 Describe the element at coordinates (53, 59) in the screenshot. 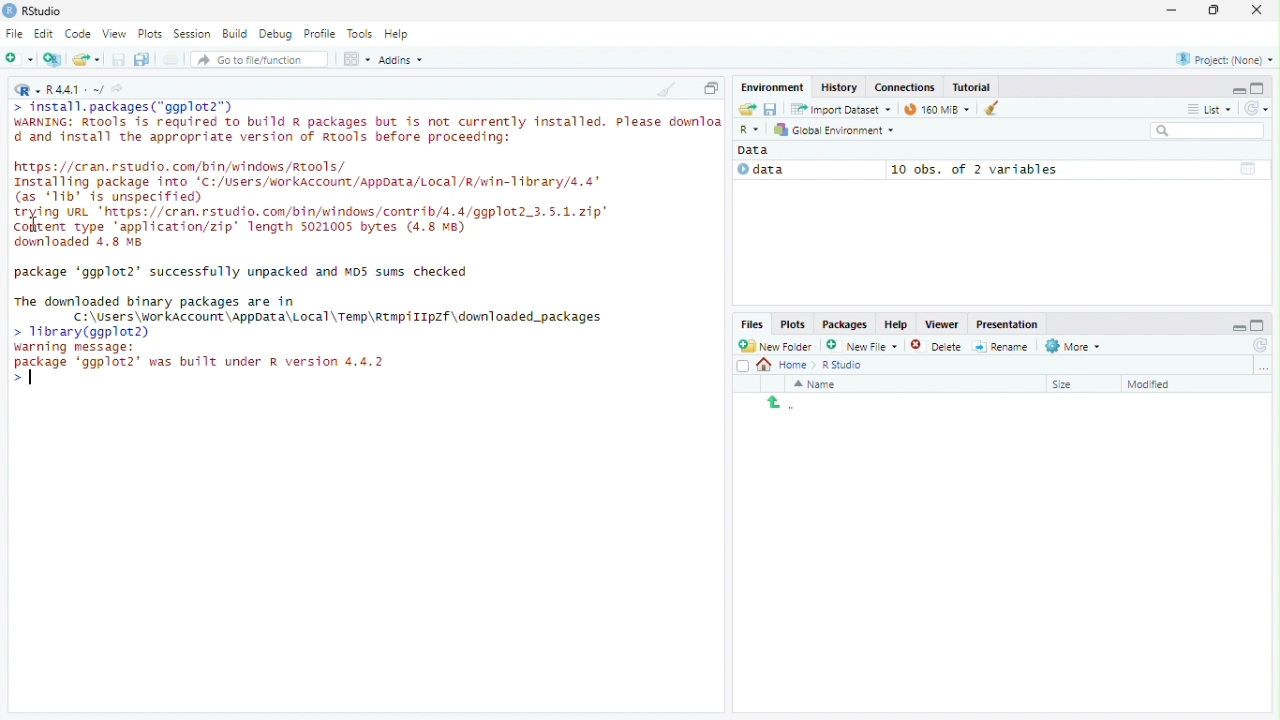

I see `create a project` at that location.